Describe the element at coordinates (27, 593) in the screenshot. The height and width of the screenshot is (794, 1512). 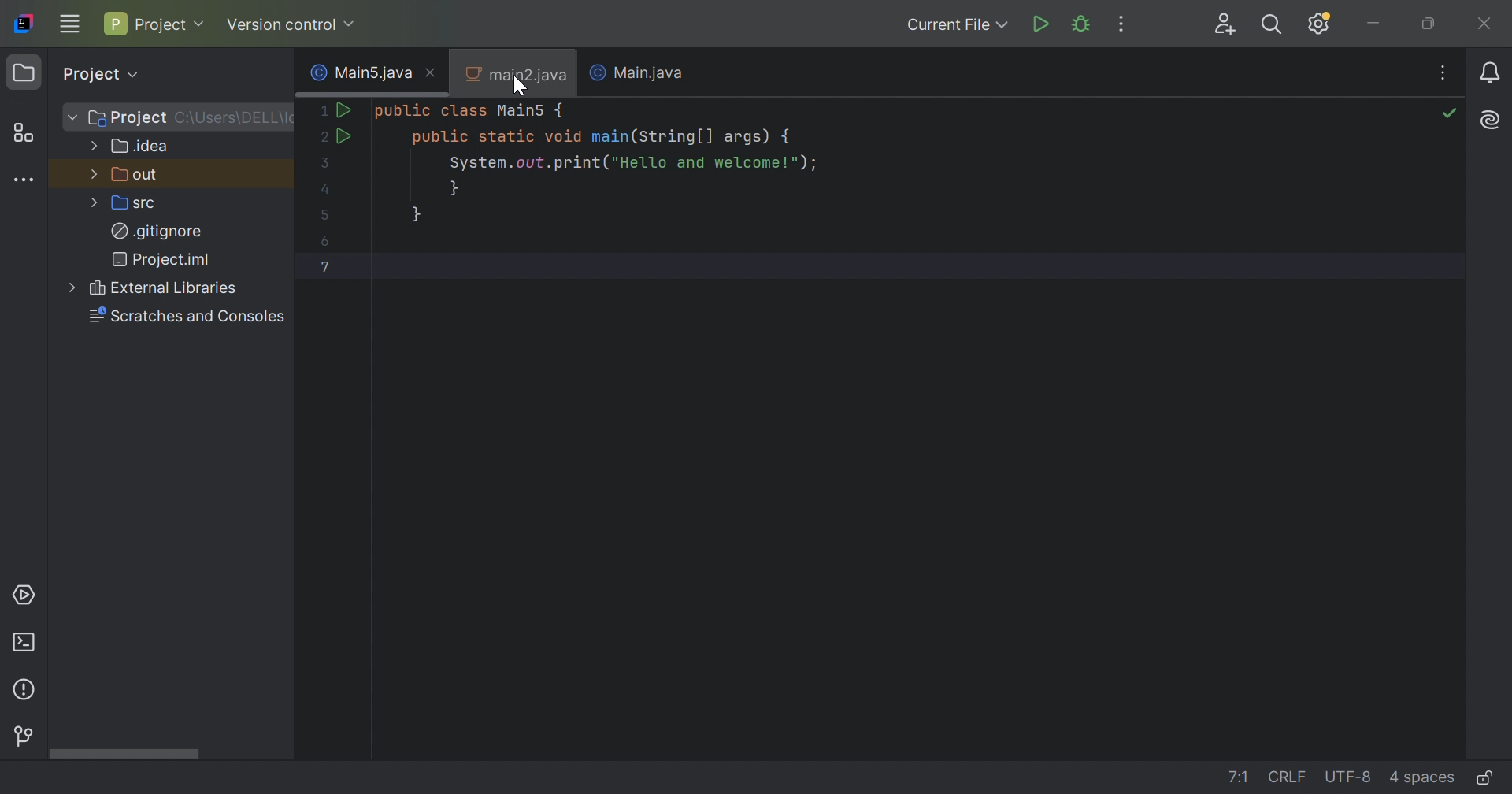
I see `Services` at that location.